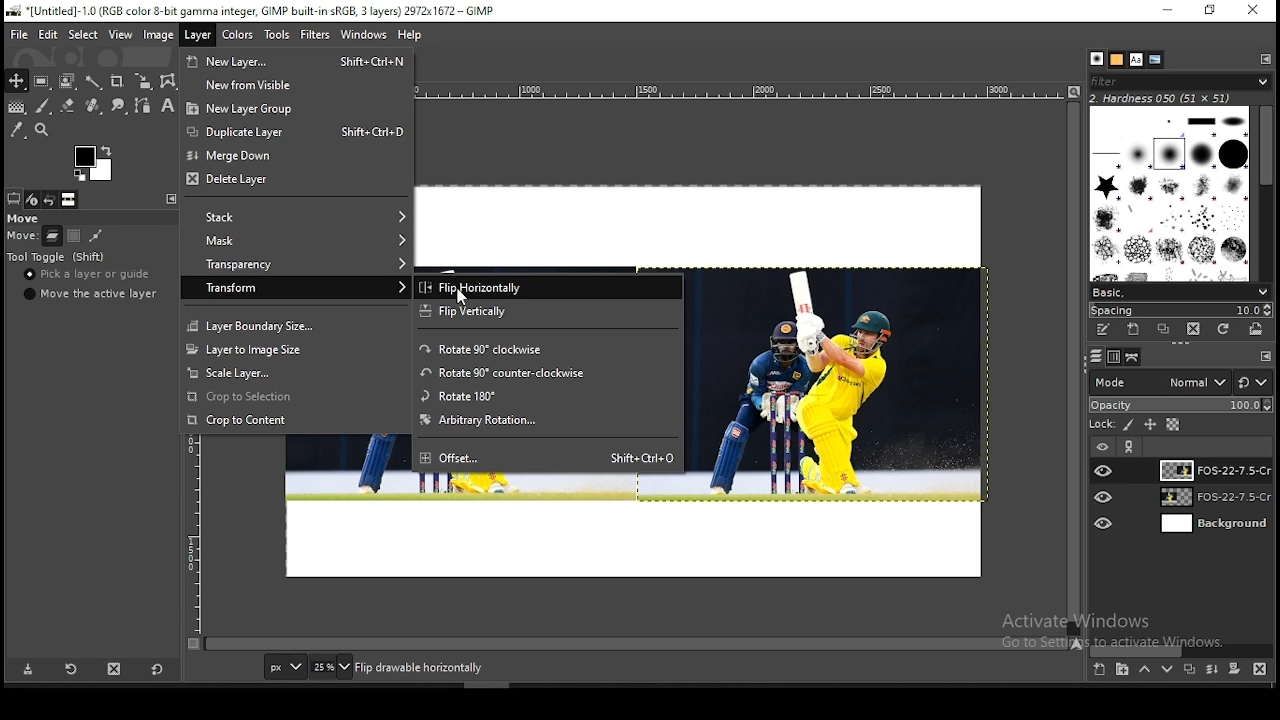  What do you see at coordinates (246, 130) in the screenshot?
I see `duplicate layer` at bounding box center [246, 130].